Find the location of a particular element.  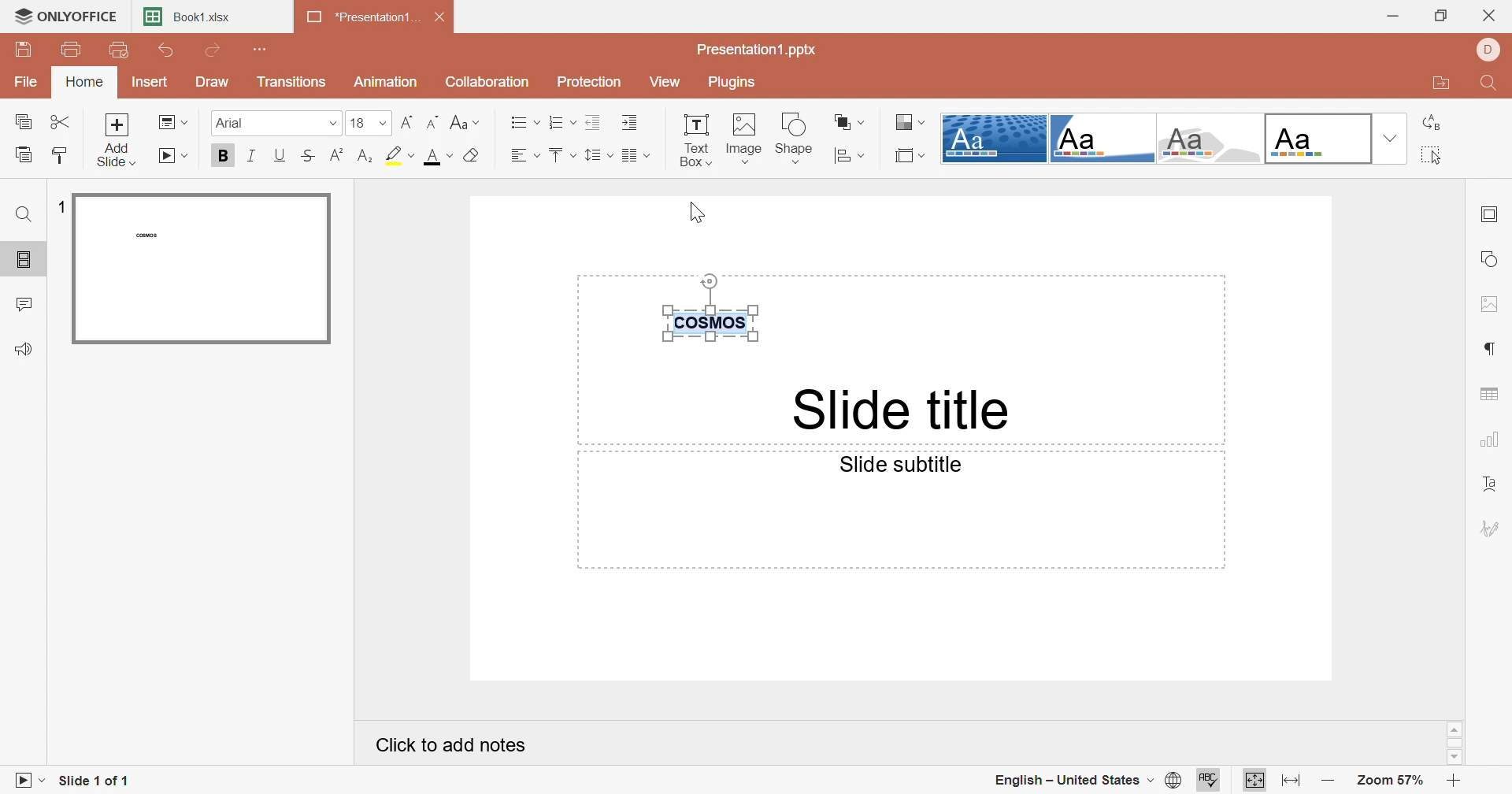

Change case is located at coordinates (463, 123).